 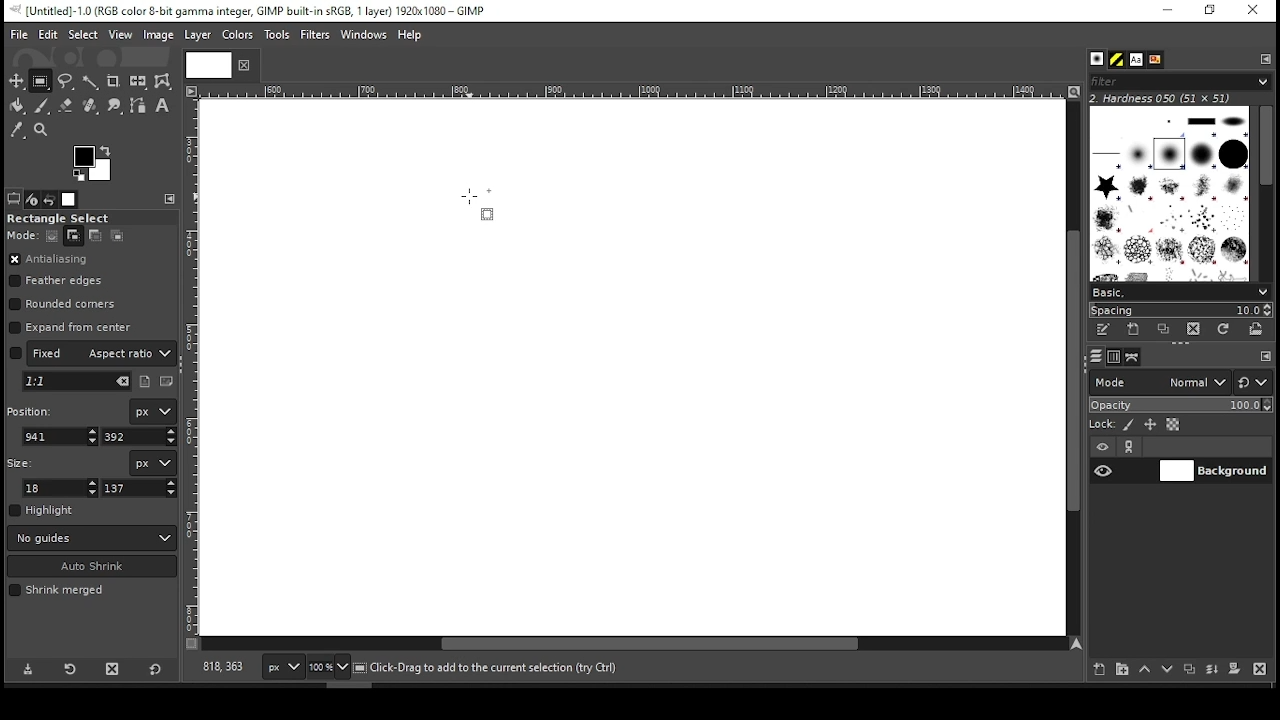 What do you see at coordinates (1071, 367) in the screenshot?
I see `scroll bar` at bounding box center [1071, 367].